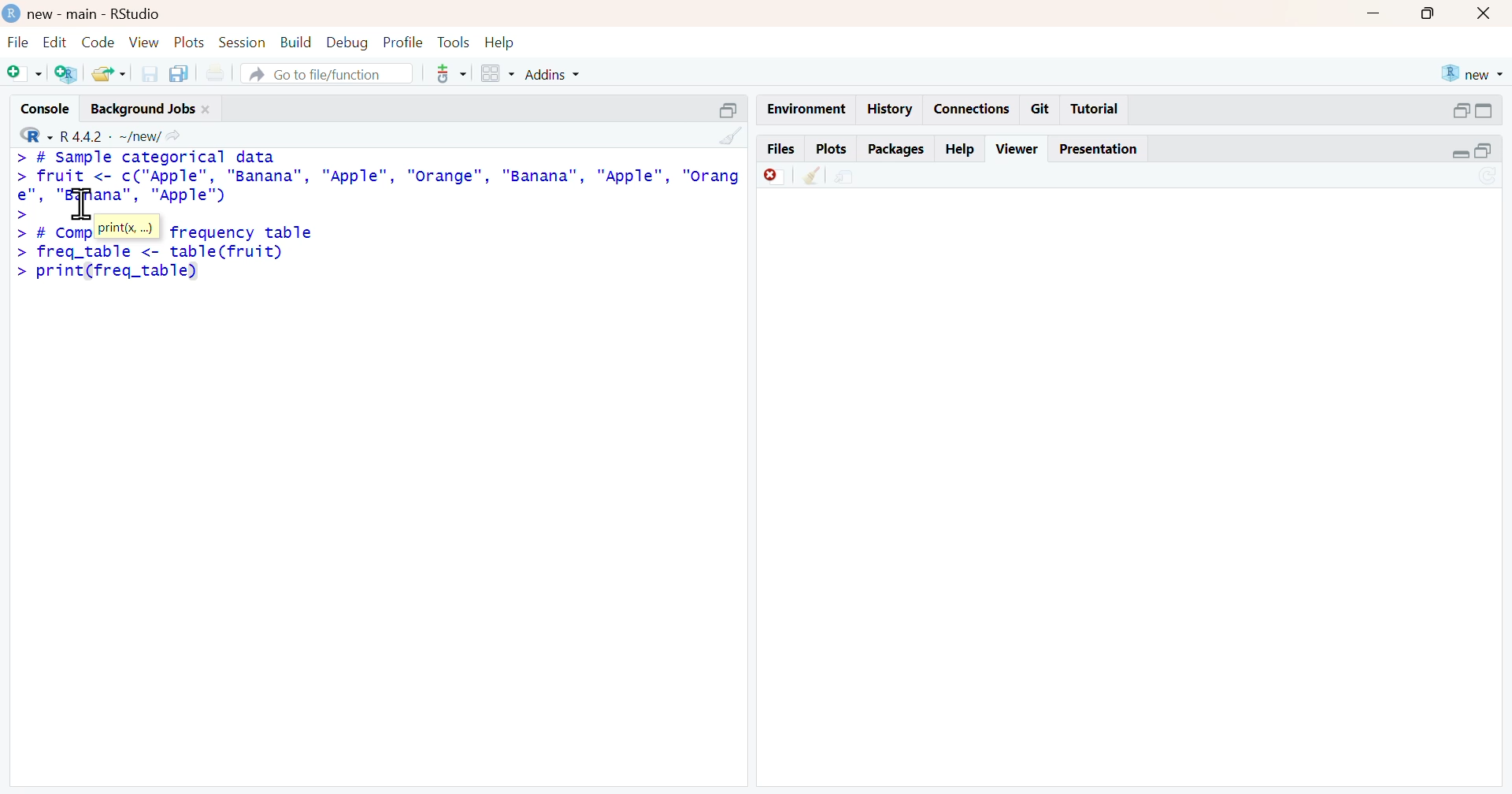 Image resolution: width=1512 pixels, height=794 pixels. What do you see at coordinates (1490, 176) in the screenshot?
I see `refresh current plot` at bounding box center [1490, 176].